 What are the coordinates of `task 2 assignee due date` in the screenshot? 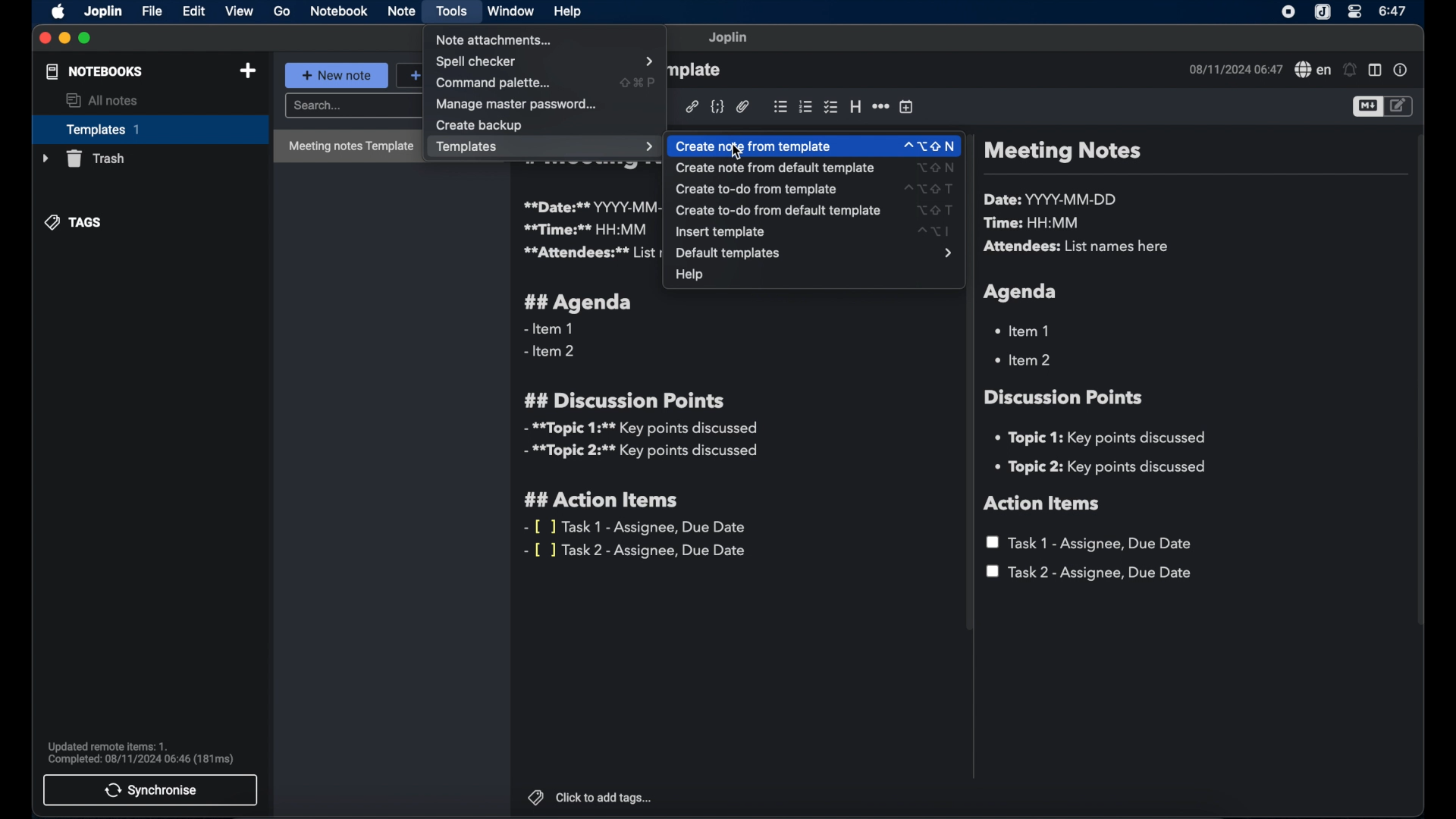 It's located at (1090, 573).